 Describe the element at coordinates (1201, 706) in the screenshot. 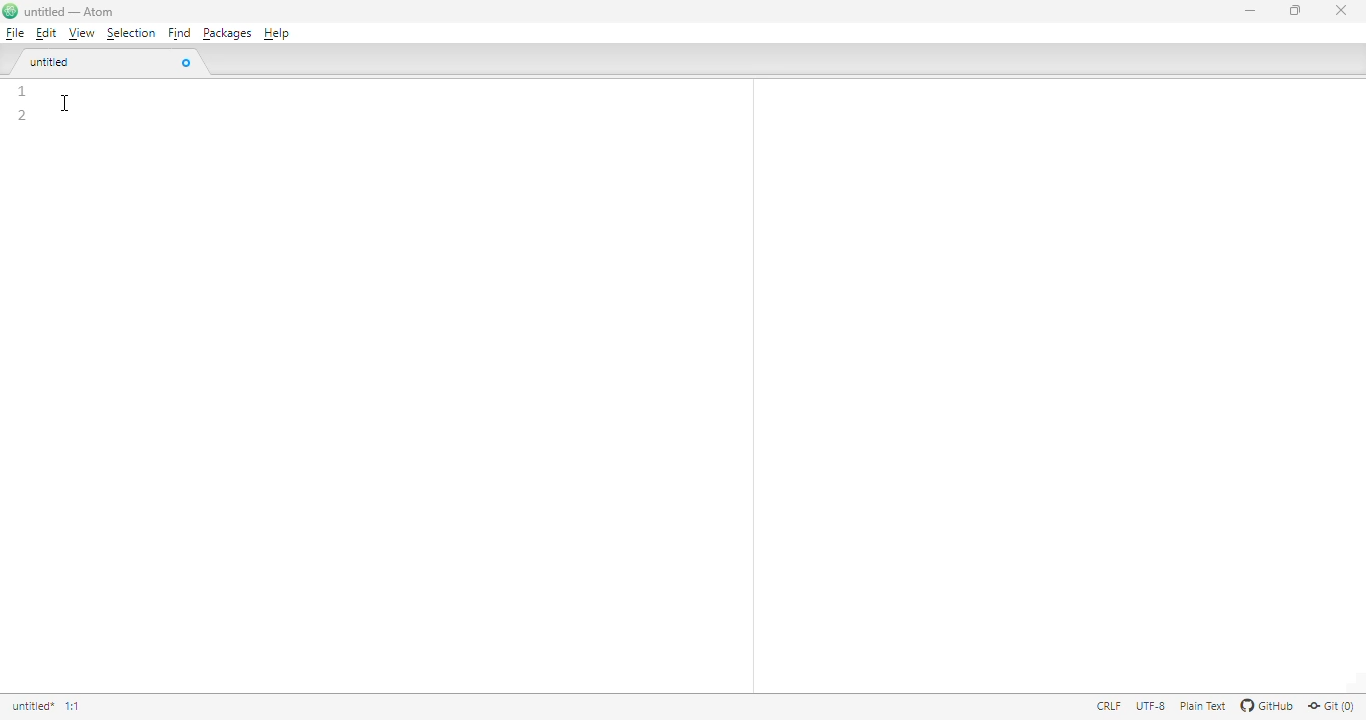

I see `Plain text` at that location.